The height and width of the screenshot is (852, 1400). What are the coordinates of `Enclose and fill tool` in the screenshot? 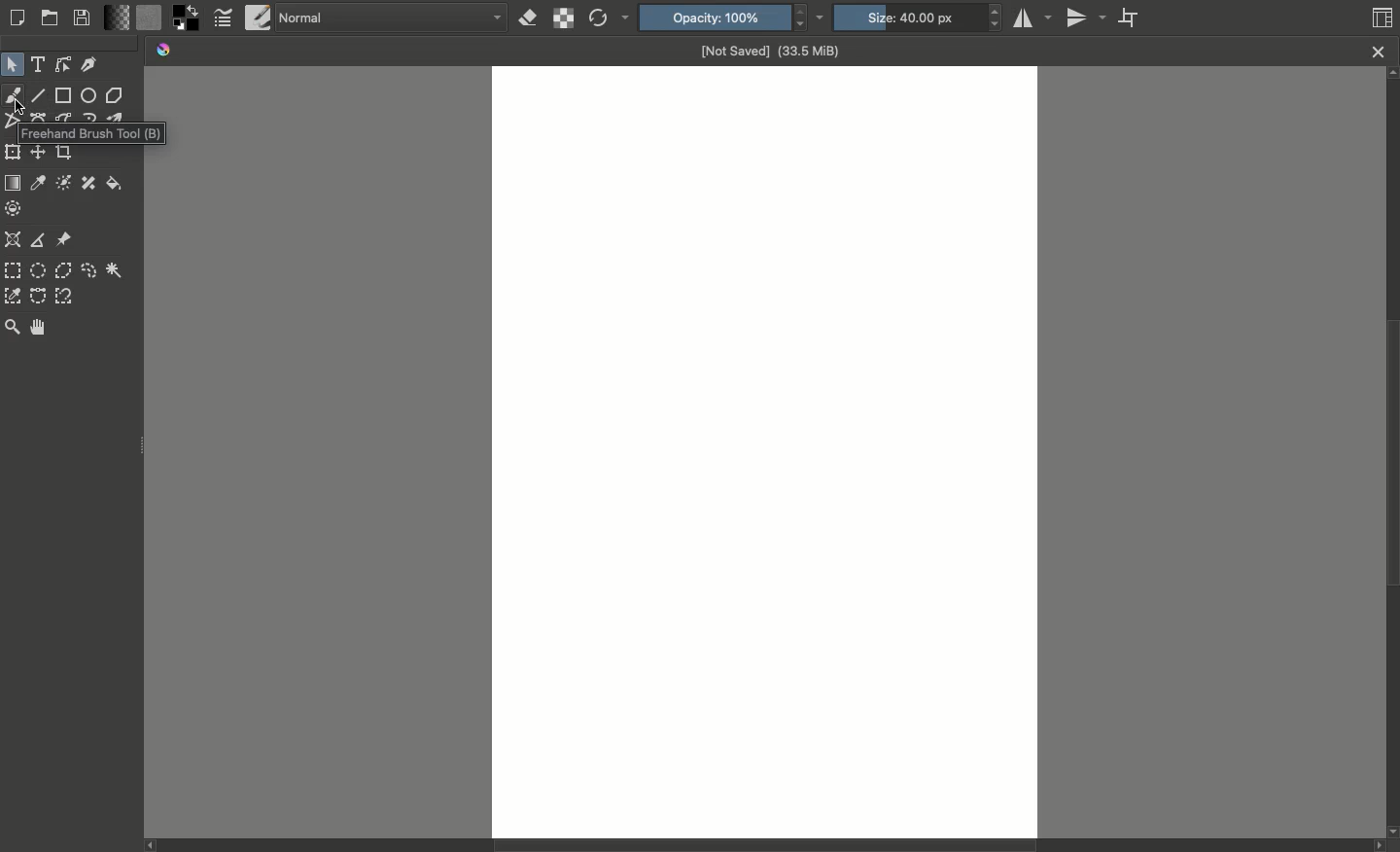 It's located at (16, 206).